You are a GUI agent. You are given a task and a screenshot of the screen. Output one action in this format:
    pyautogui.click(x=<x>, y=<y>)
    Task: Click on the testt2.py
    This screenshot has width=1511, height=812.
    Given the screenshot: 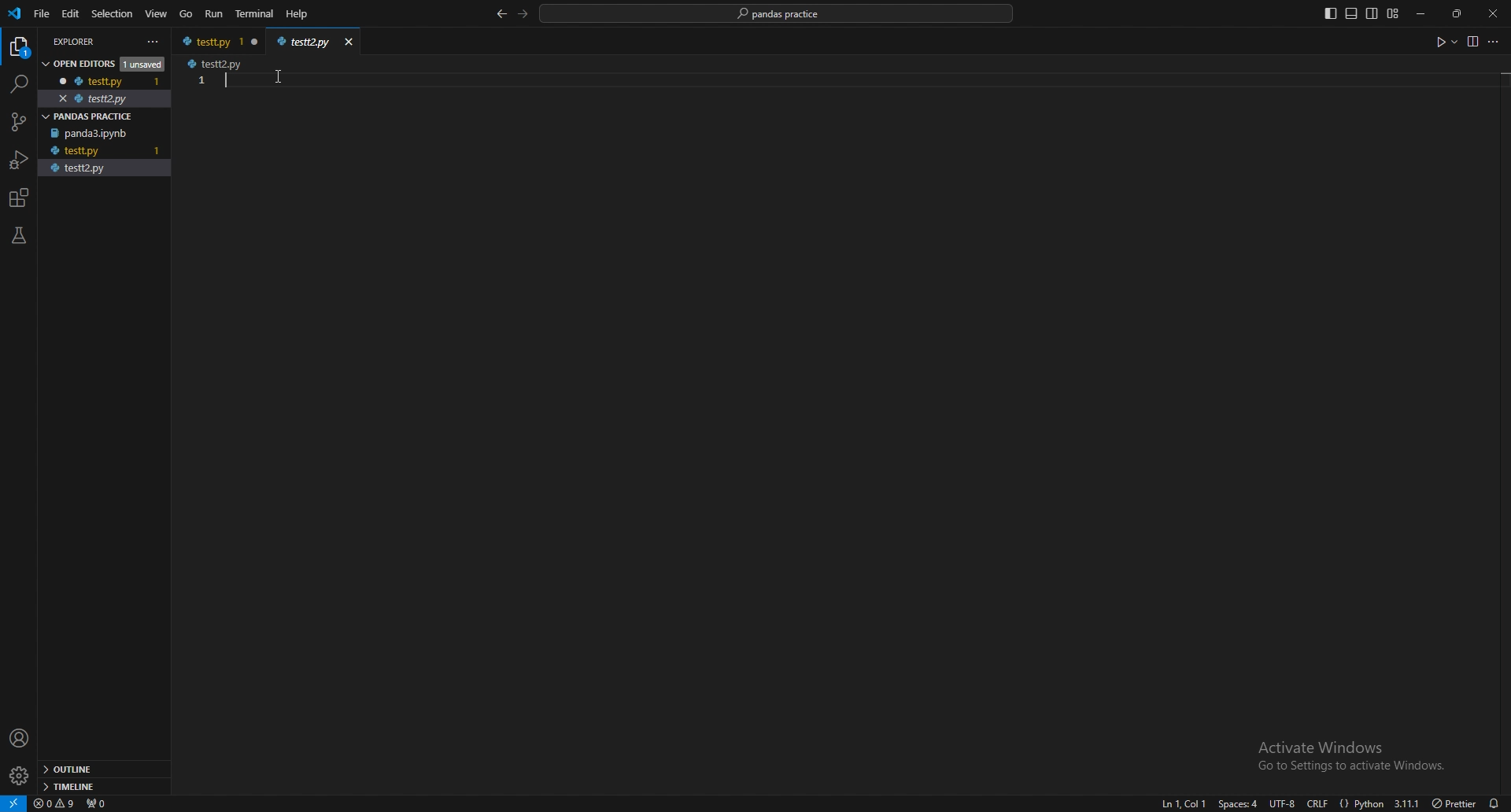 What is the action you would take?
    pyautogui.click(x=94, y=98)
    